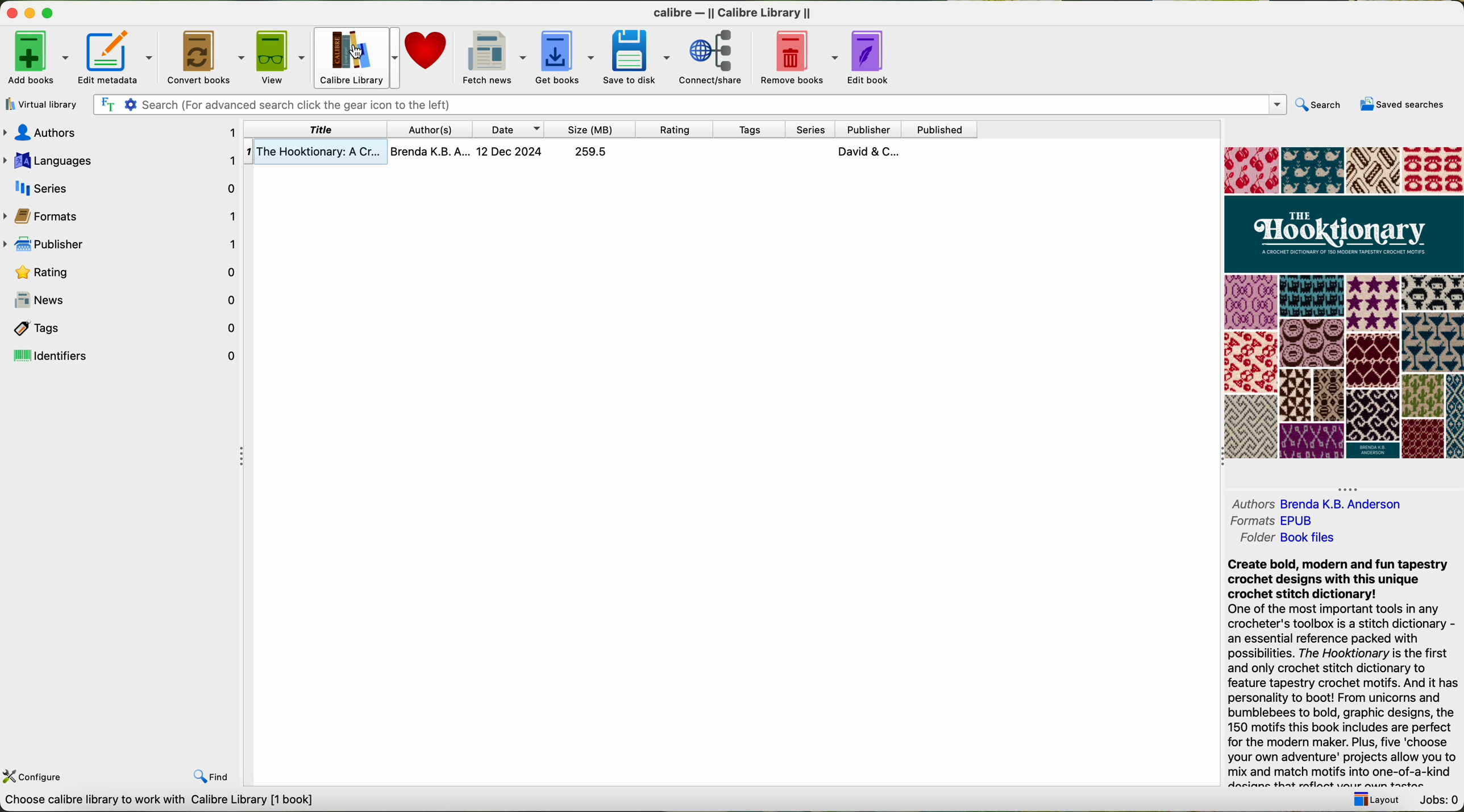  Describe the element at coordinates (1342, 303) in the screenshot. I see `cover book preview` at that location.